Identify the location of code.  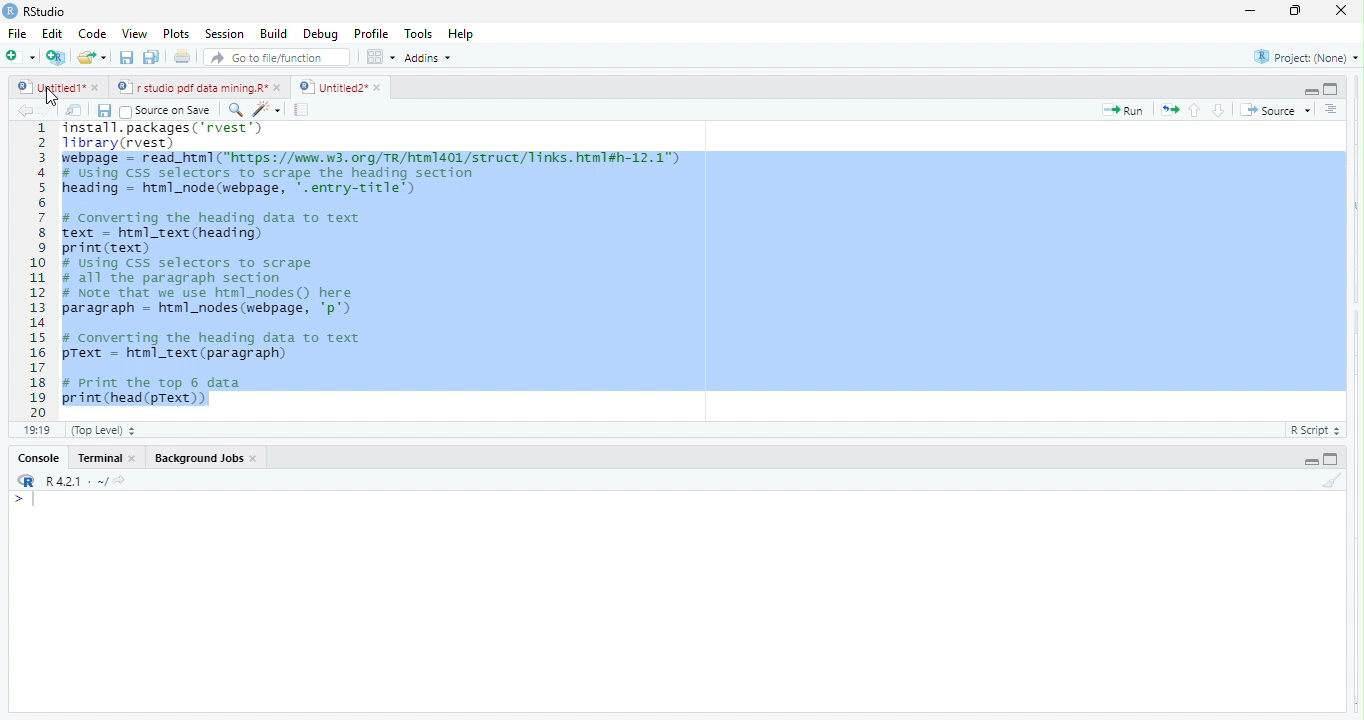
(93, 35).